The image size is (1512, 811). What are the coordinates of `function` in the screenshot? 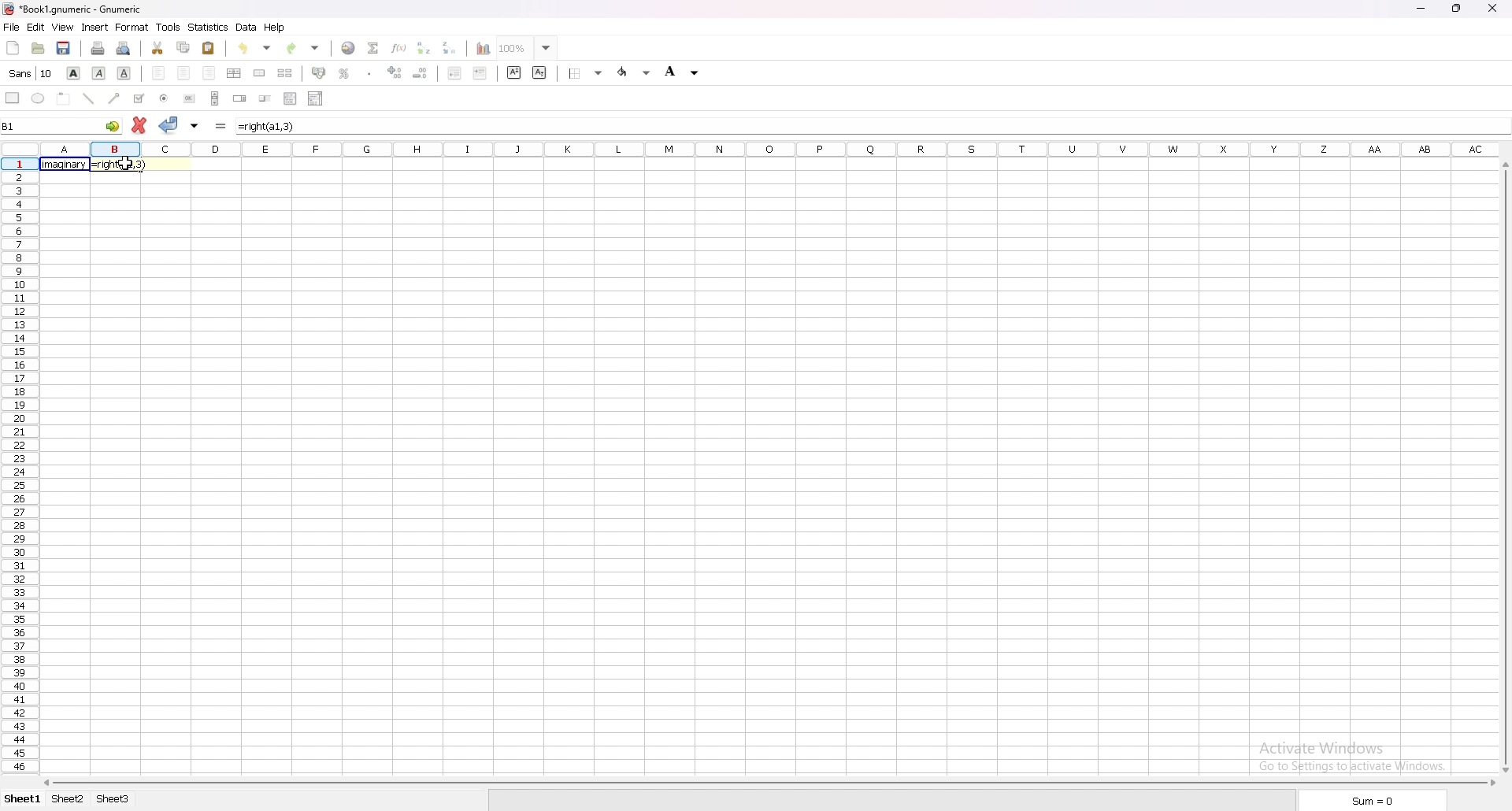 It's located at (399, 47).